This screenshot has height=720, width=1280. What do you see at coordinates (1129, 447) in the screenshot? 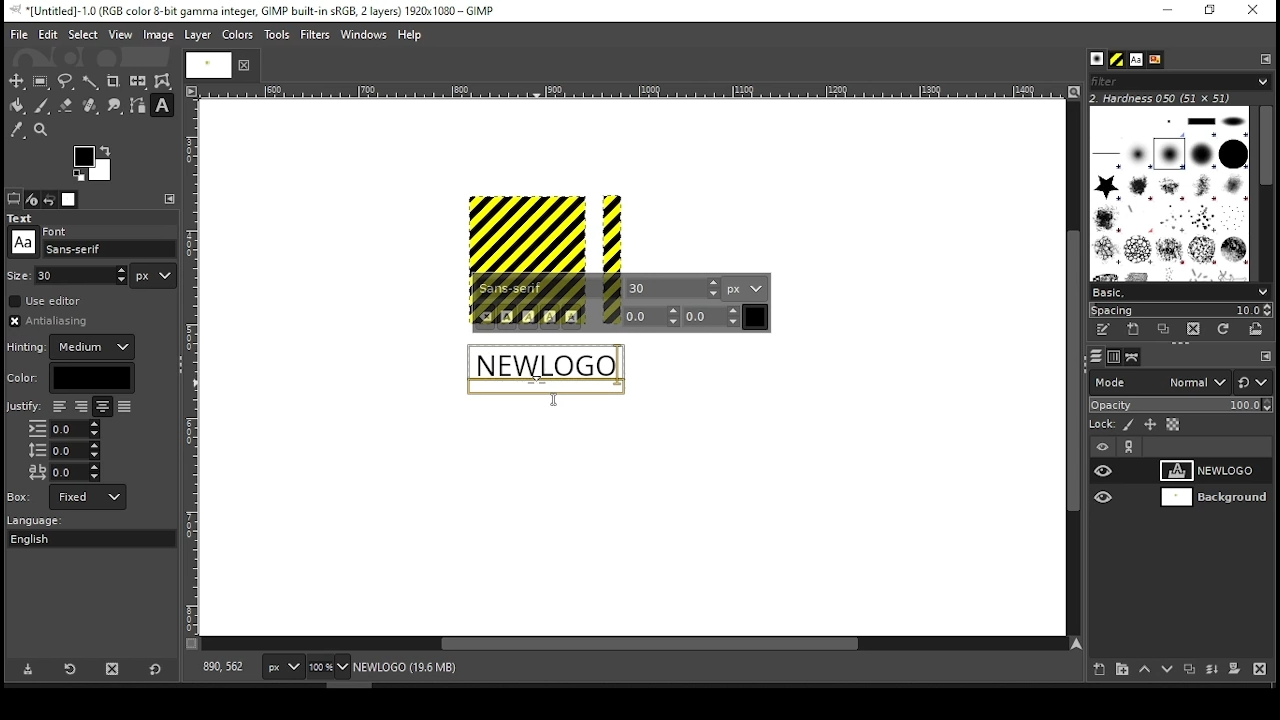
I see `link` at bounding box center [1129, 447].